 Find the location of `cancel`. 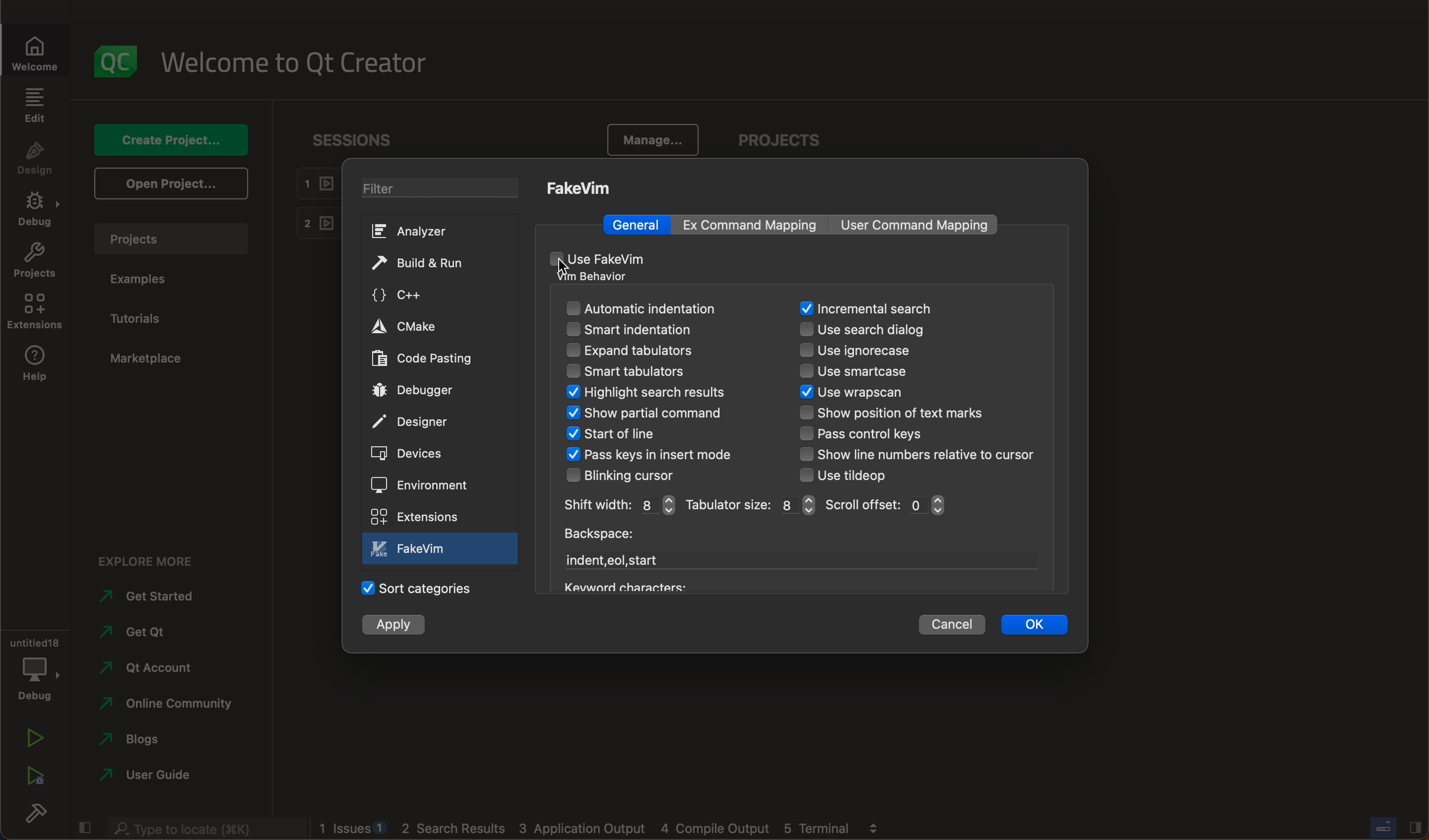

cancel is located at coordinates (952, 625).